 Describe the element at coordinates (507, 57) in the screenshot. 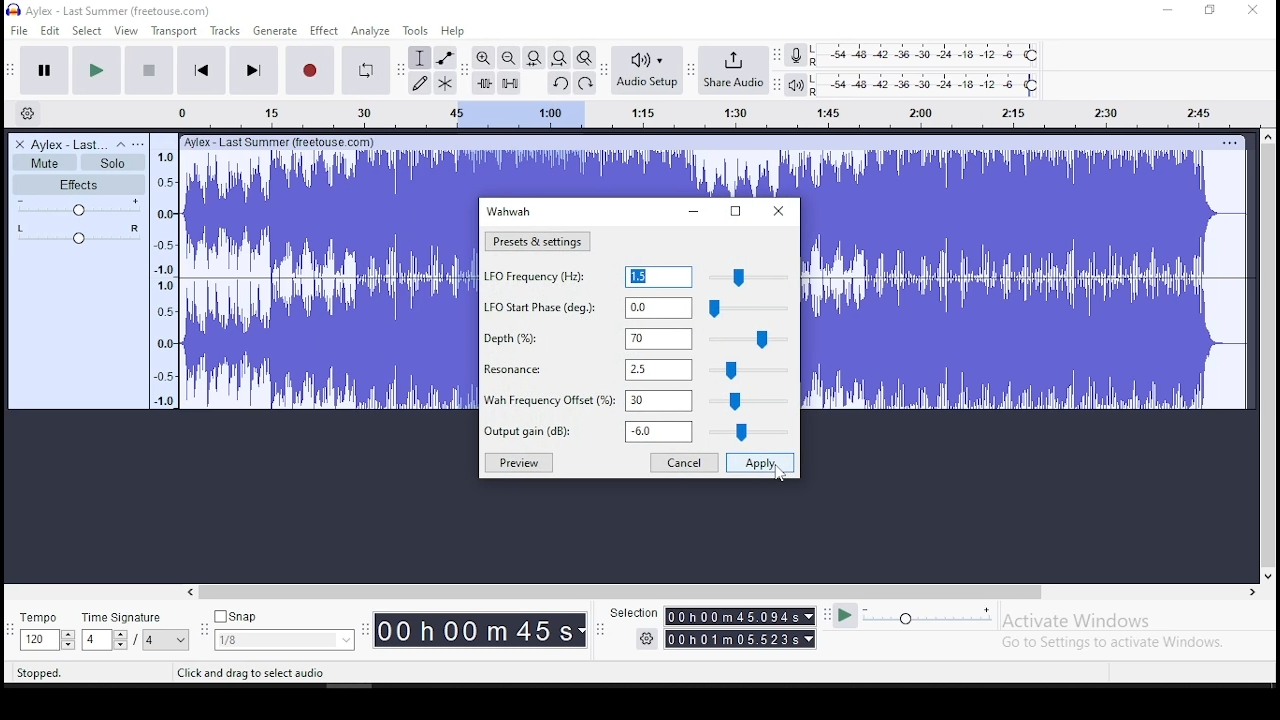

I see `zoom out` at that location.